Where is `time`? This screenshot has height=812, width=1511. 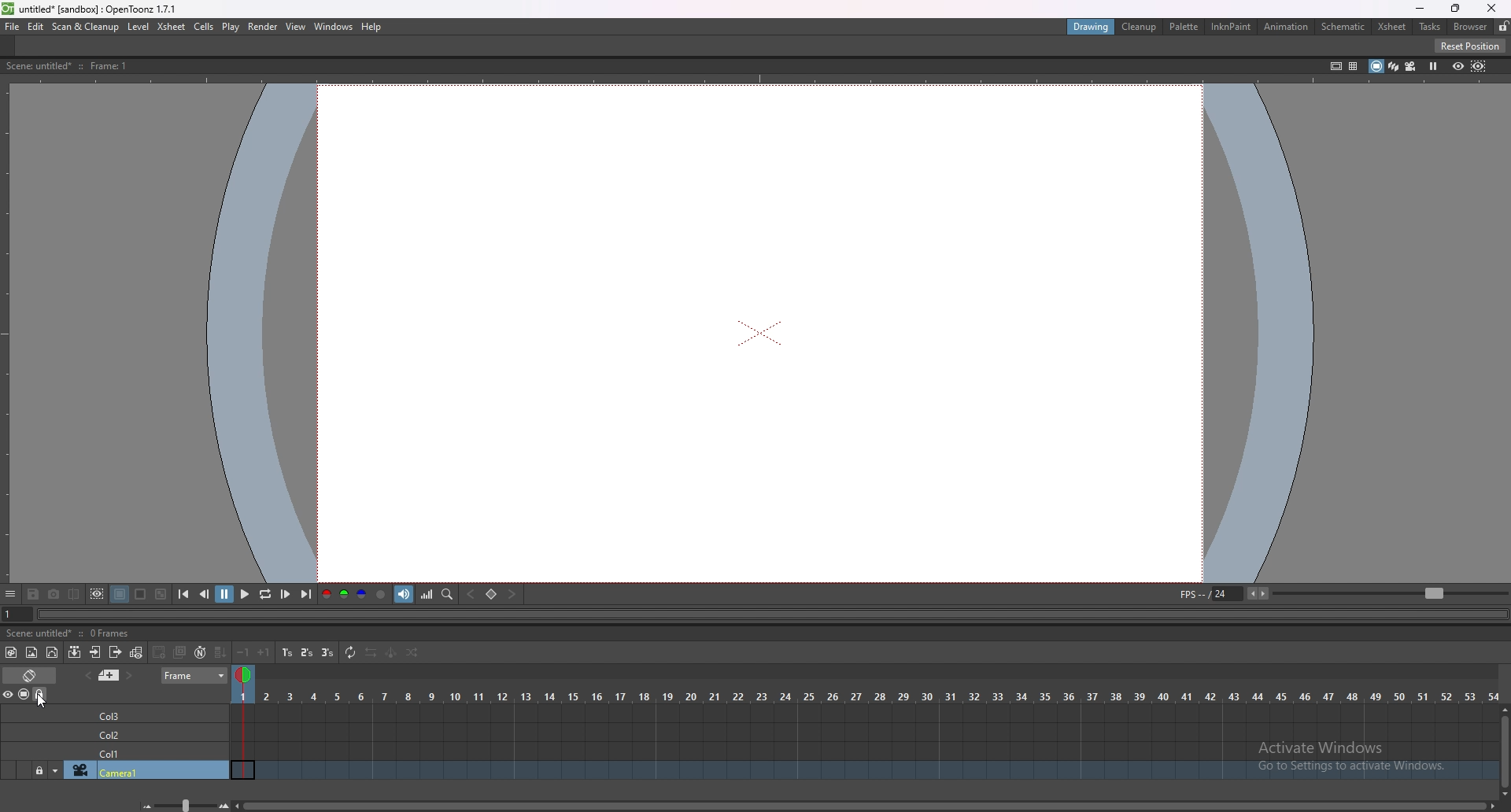
time is located at coordinates (866, 694).